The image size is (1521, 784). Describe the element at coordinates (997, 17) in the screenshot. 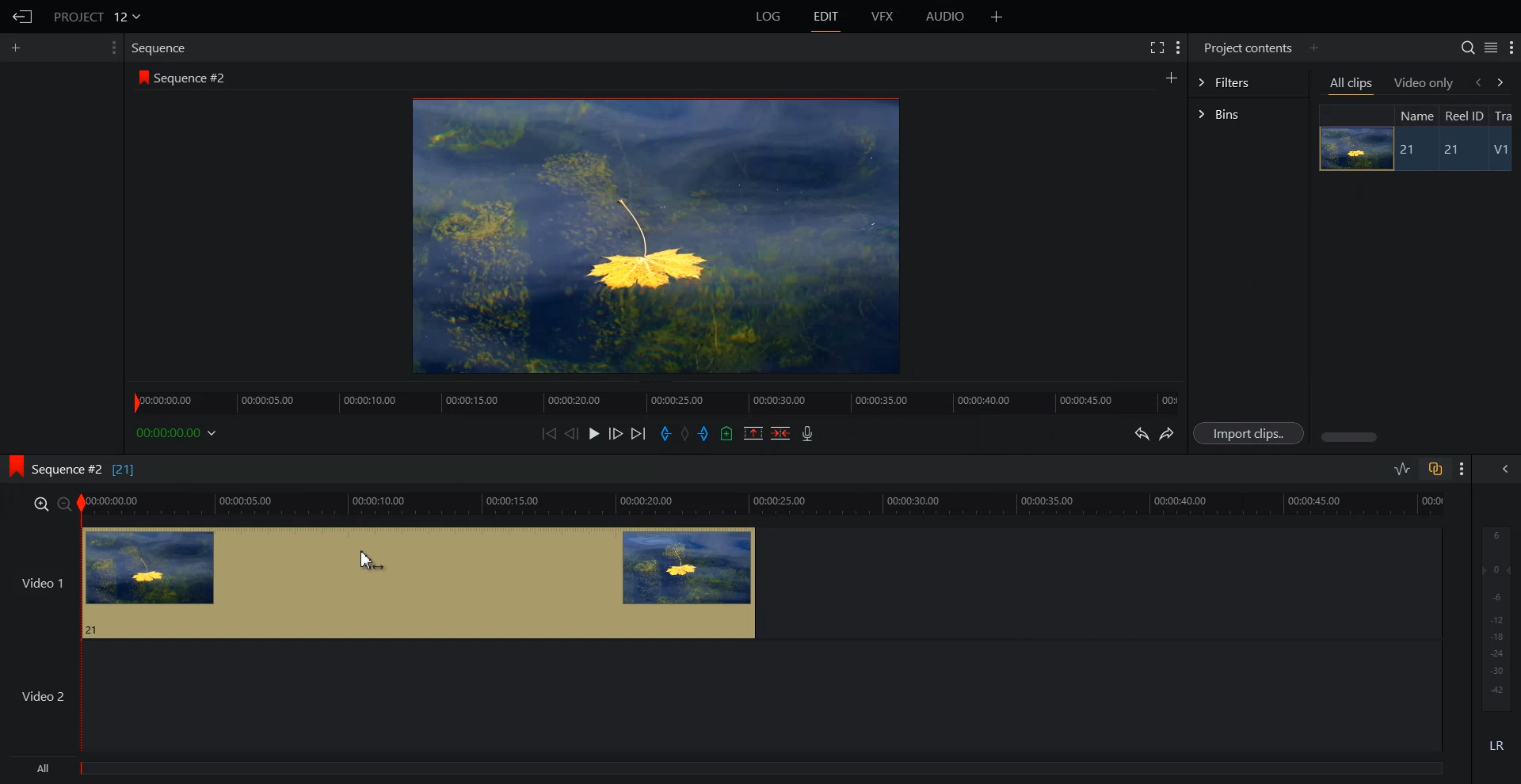

I see `Add panel` at that location.